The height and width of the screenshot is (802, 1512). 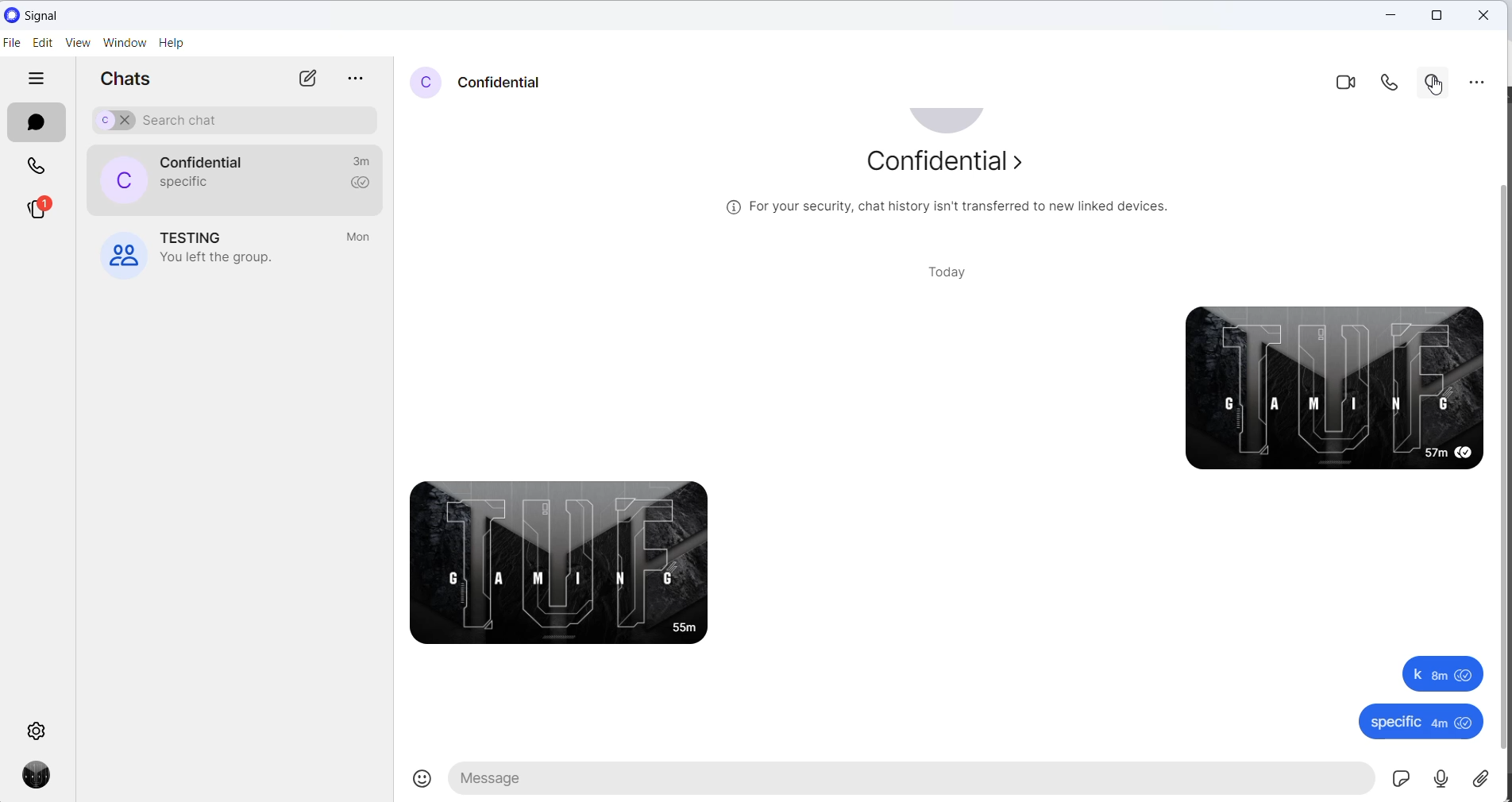 What do you see at coordinates (304, 79) in the screenshot?
I see `new chats` at bounding box center [304, 79].